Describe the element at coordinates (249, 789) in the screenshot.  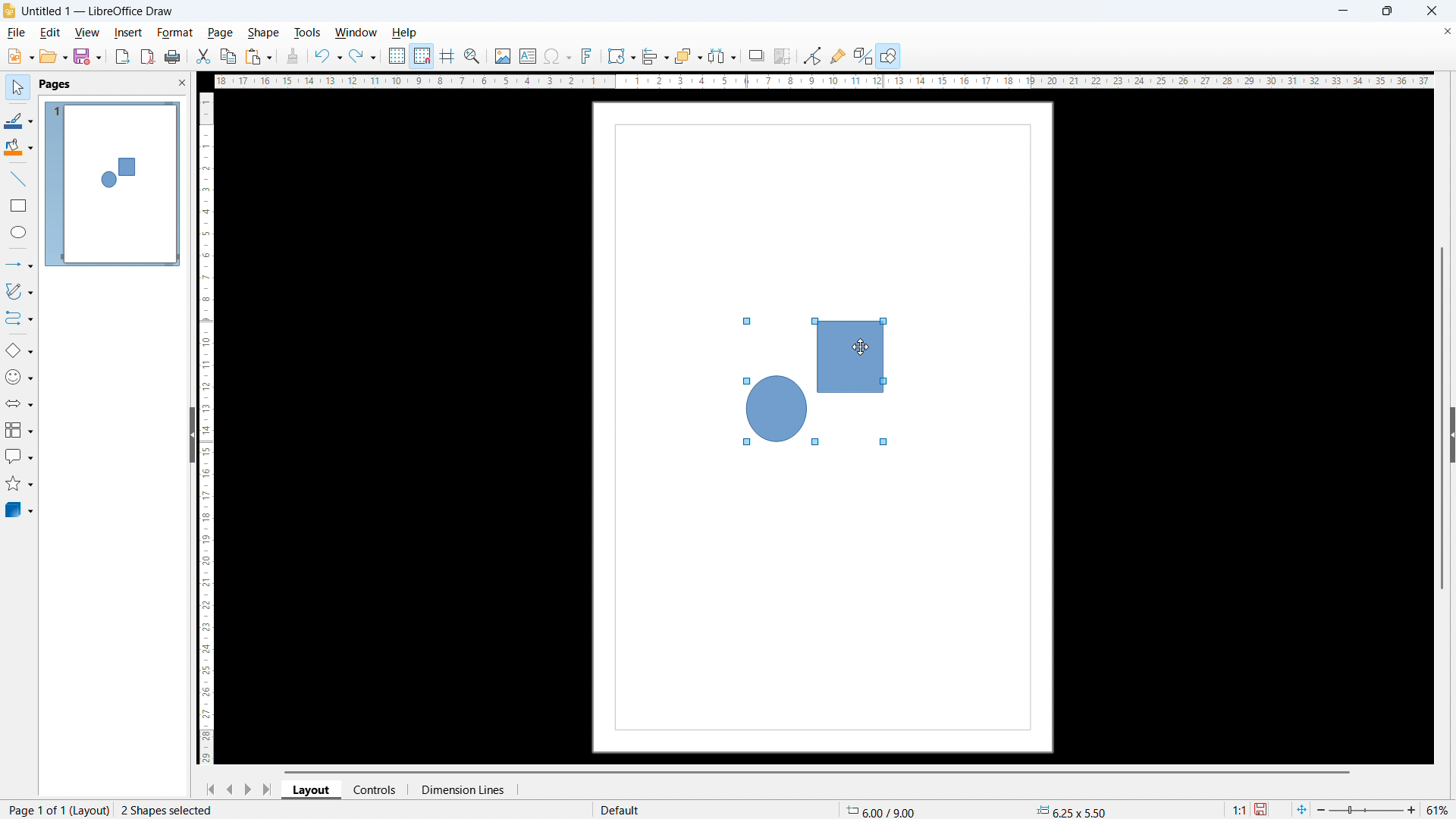
I see `next page` at that location.